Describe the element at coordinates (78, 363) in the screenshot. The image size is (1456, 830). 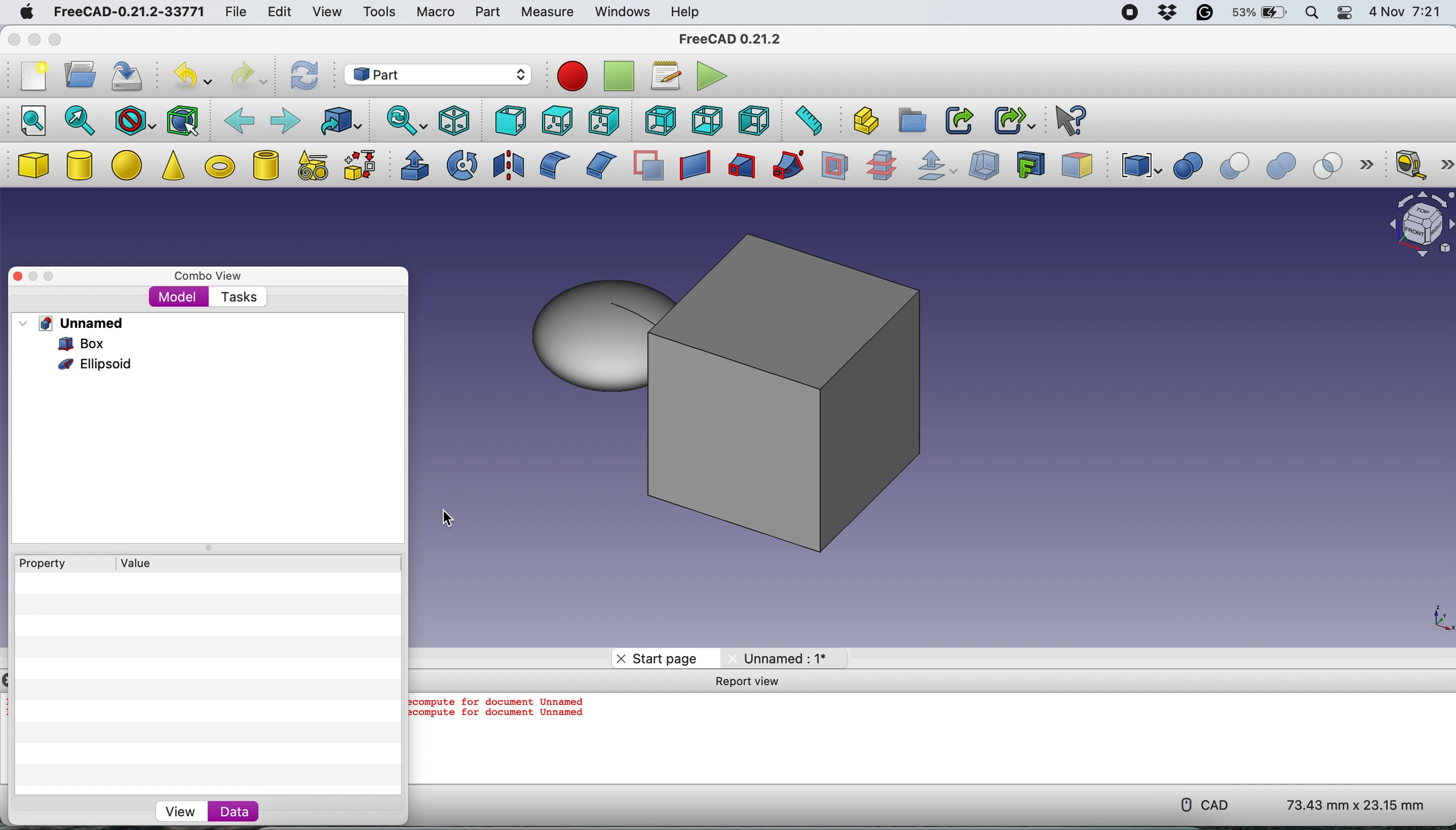
I see `ellpsoid` at that location.